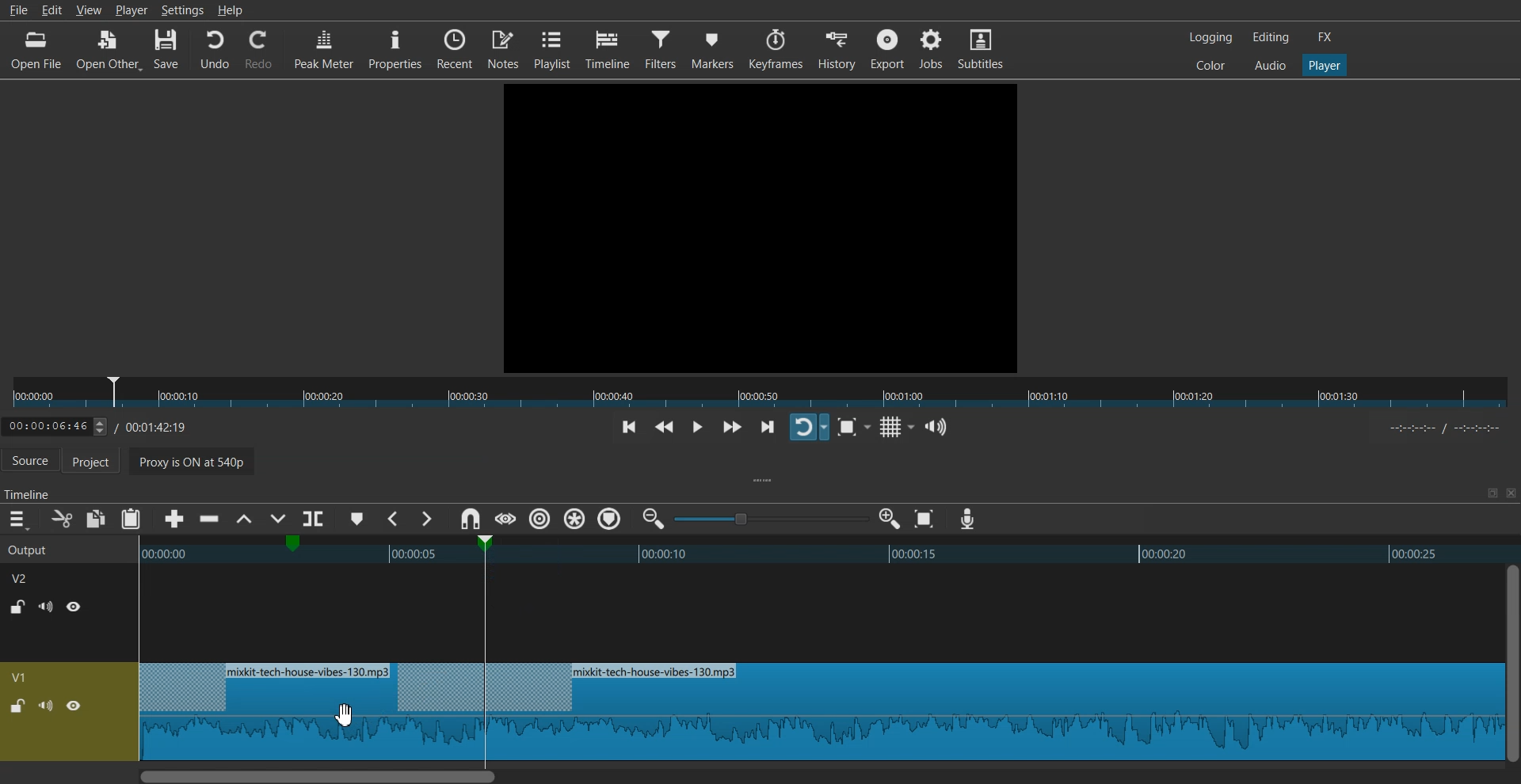 This screenshot has width=1521, height=784. I want to click on Overwrite, so click(276, 520).